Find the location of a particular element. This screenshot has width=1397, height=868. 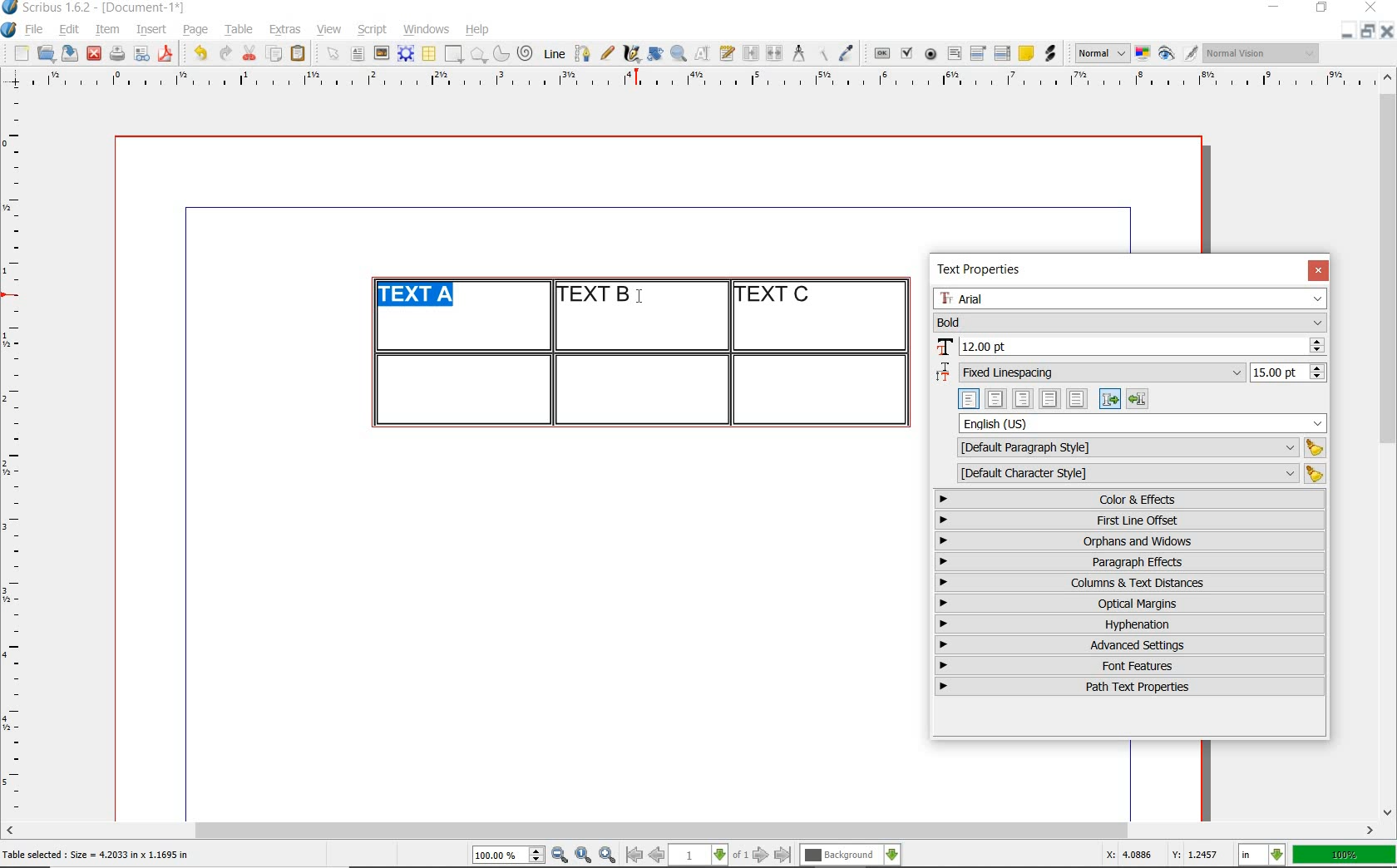

polygon is located at coordinates (478, 54).